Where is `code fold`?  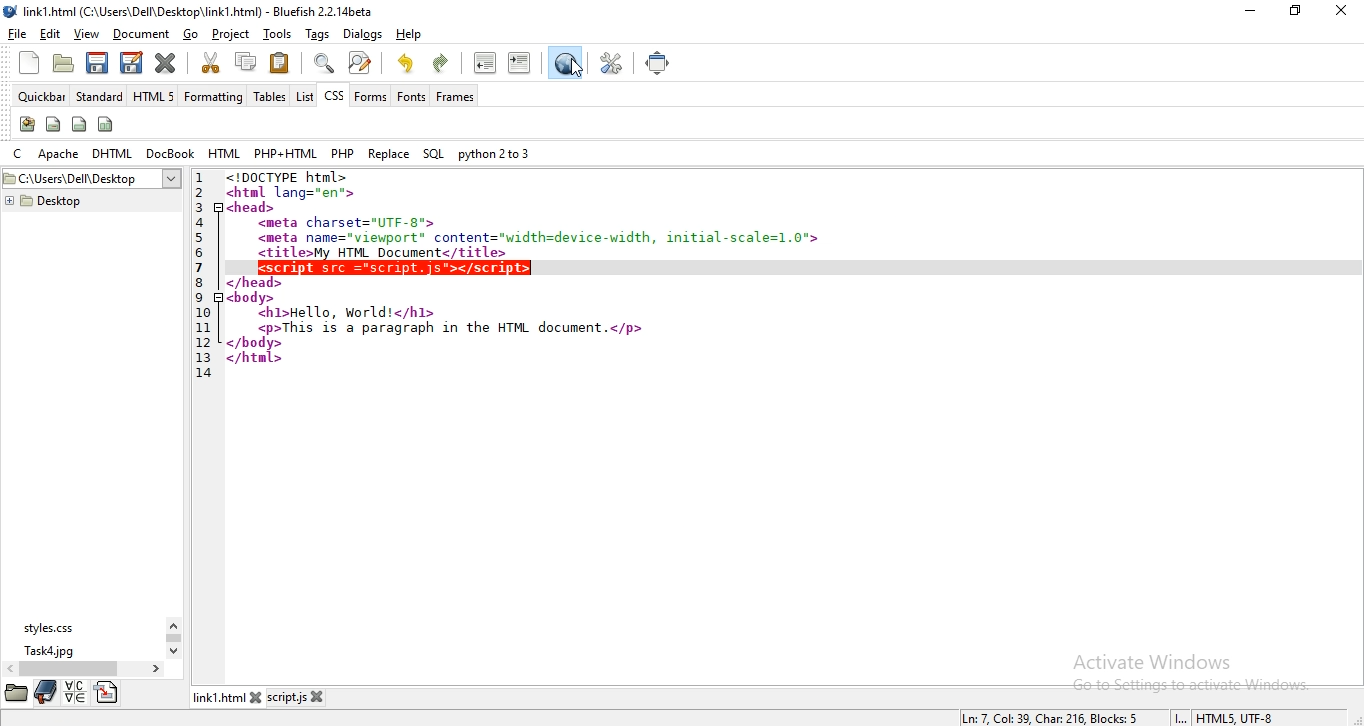
code fold is located at coordinates (220, 208).